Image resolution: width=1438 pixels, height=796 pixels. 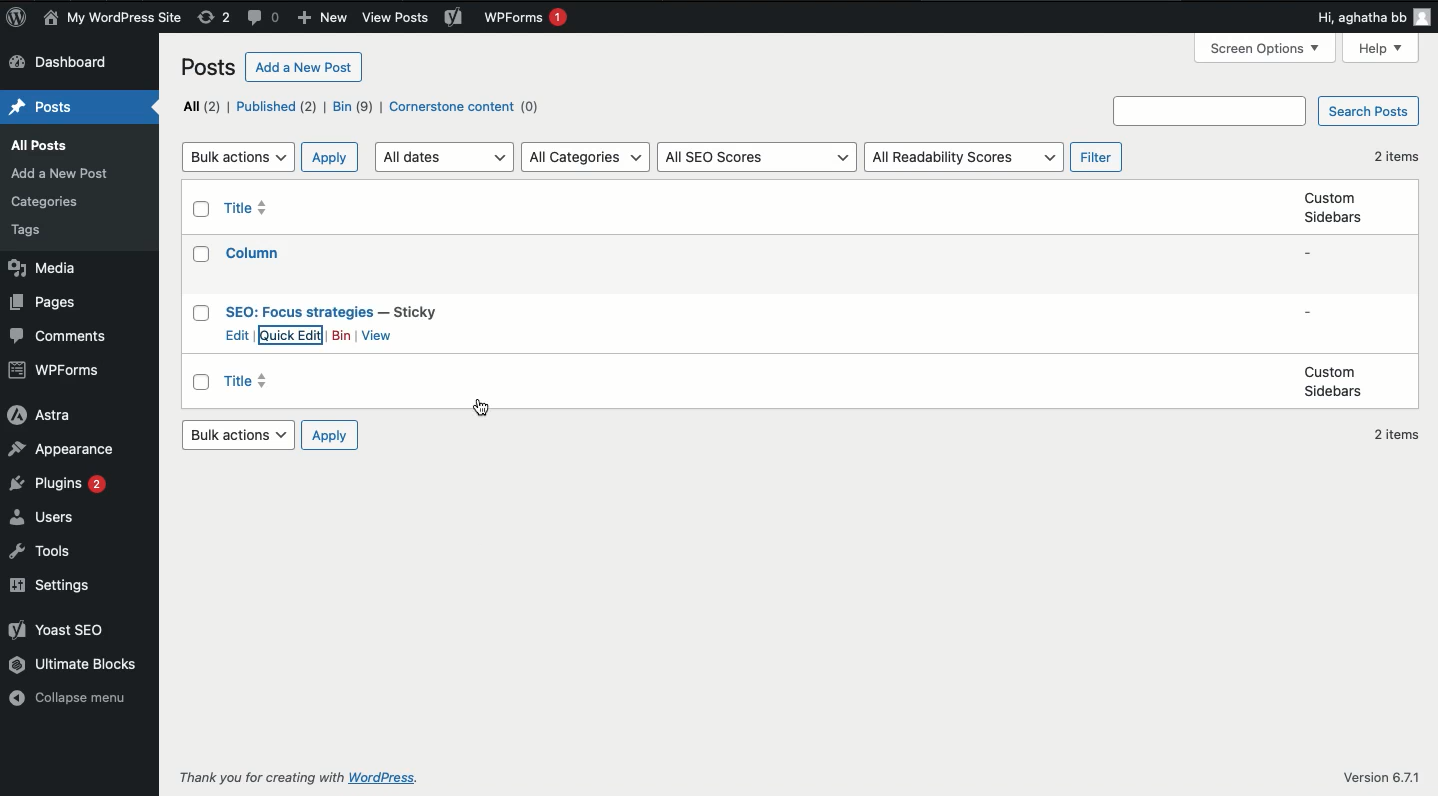 I want to click on Media, so click(x=40, y=269).